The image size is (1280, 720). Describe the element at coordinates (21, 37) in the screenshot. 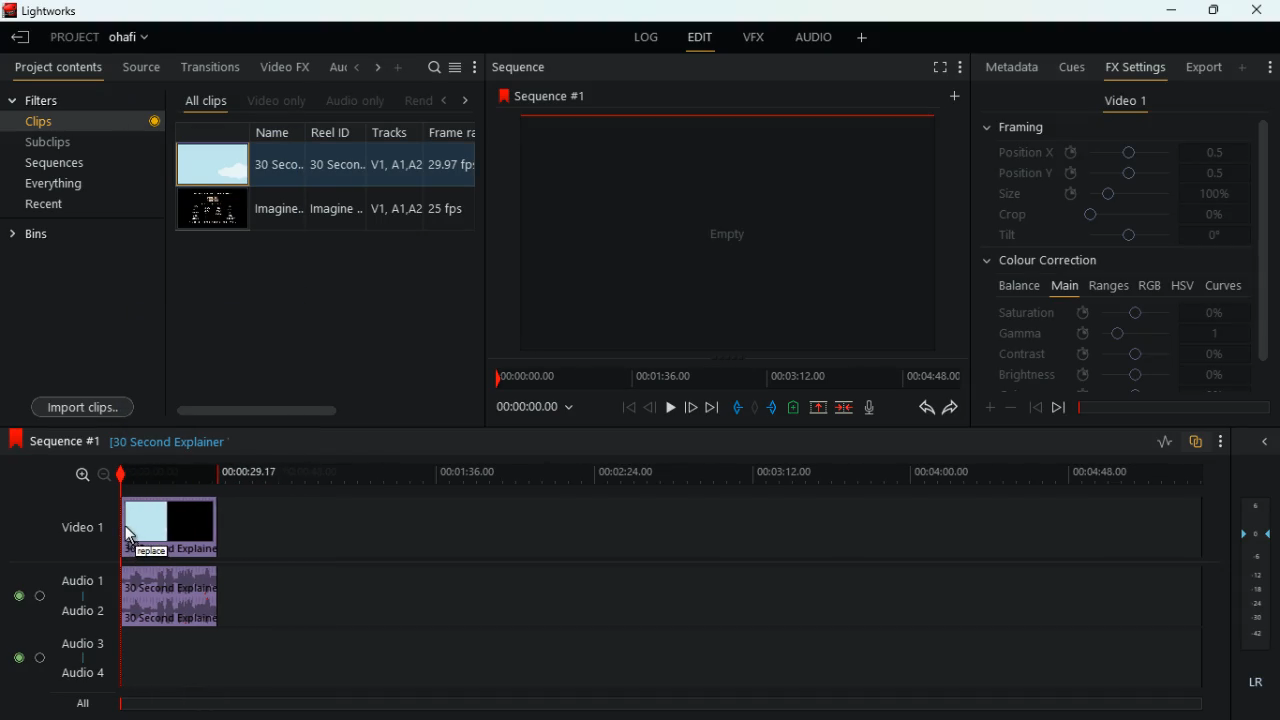

I see `leave` at that location.